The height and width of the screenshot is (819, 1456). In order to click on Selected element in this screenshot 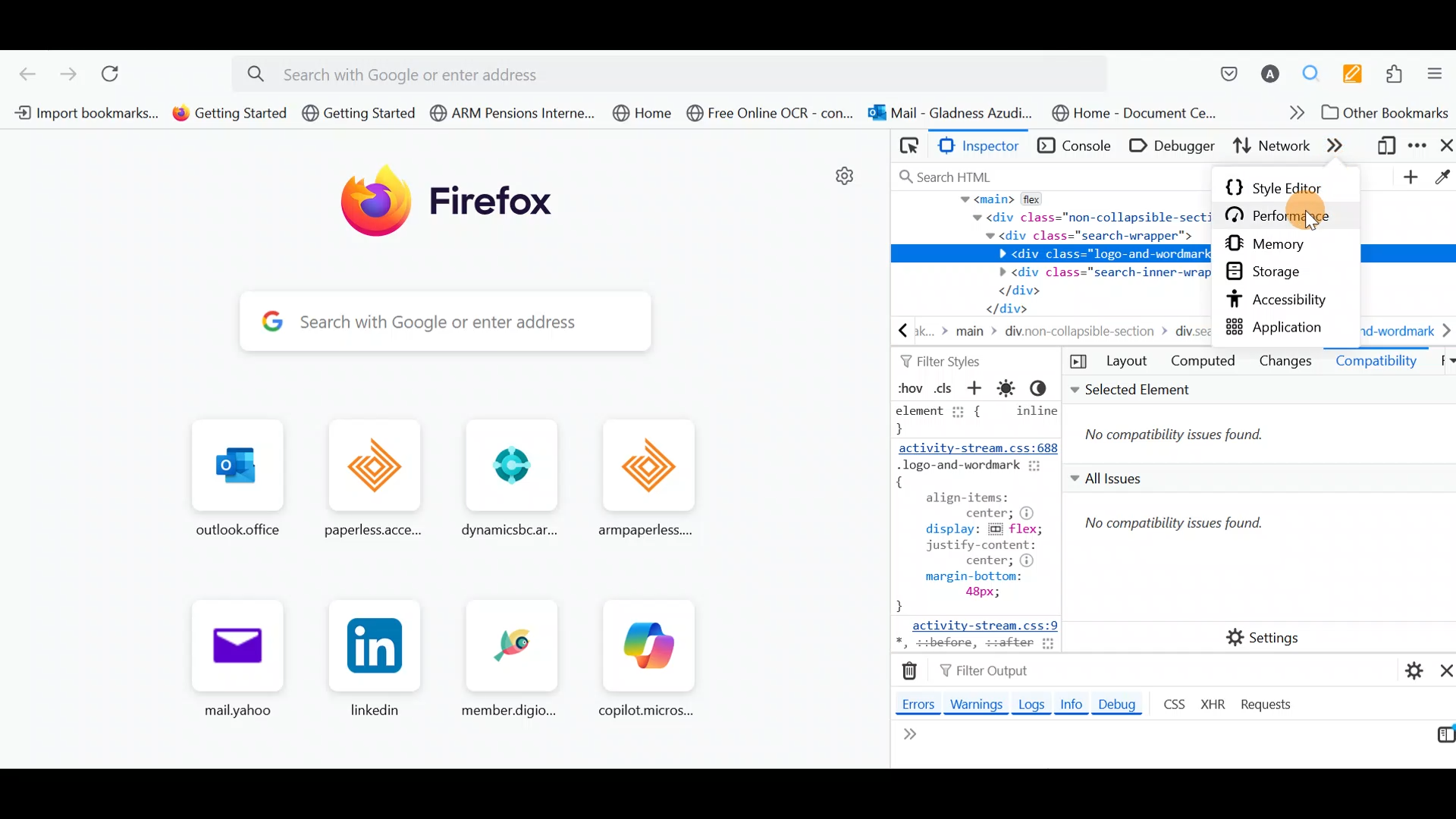, I will do `click(1258, 422)`.